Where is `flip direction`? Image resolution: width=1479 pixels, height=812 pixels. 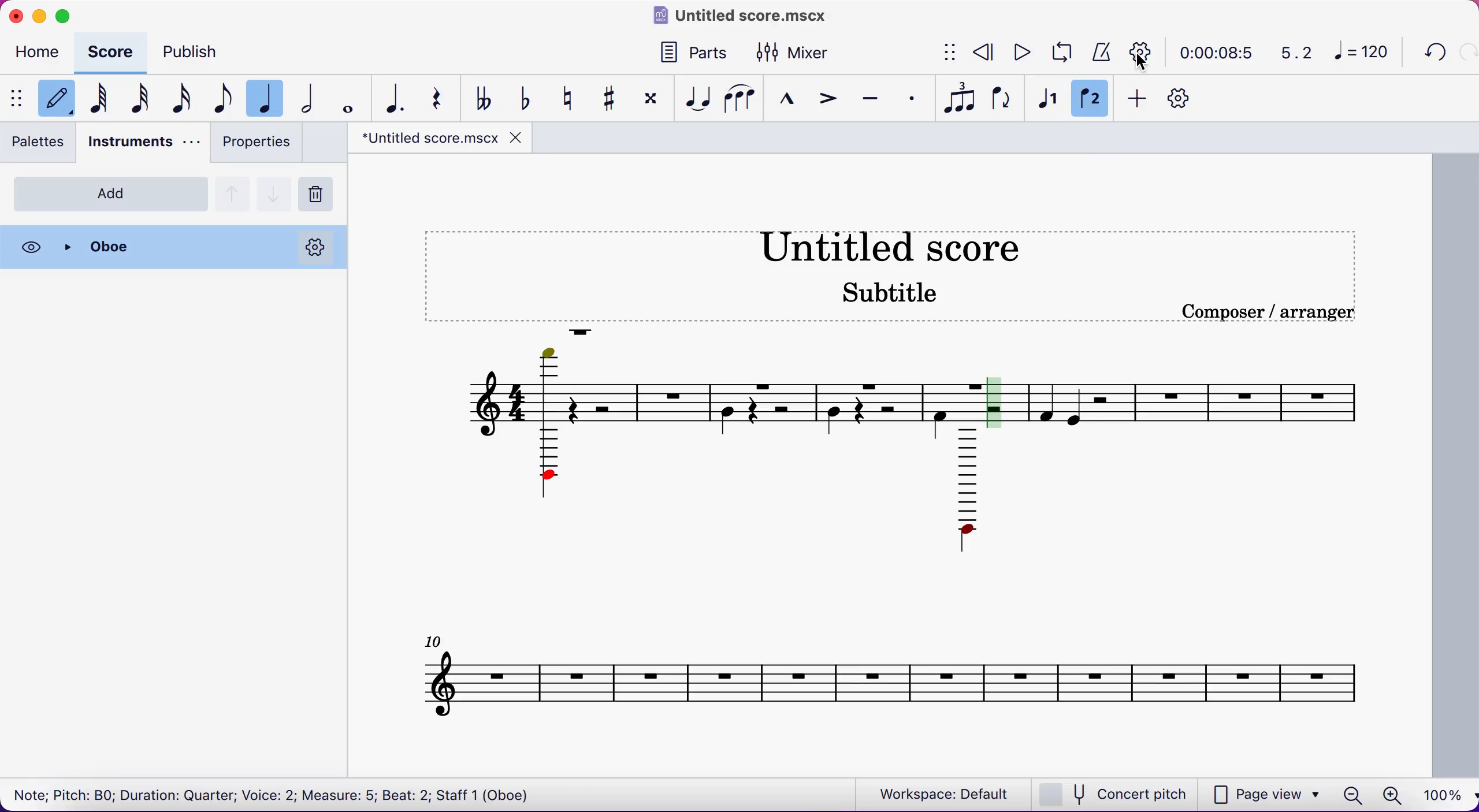 flip direction is located at coordinates (1004, 101).